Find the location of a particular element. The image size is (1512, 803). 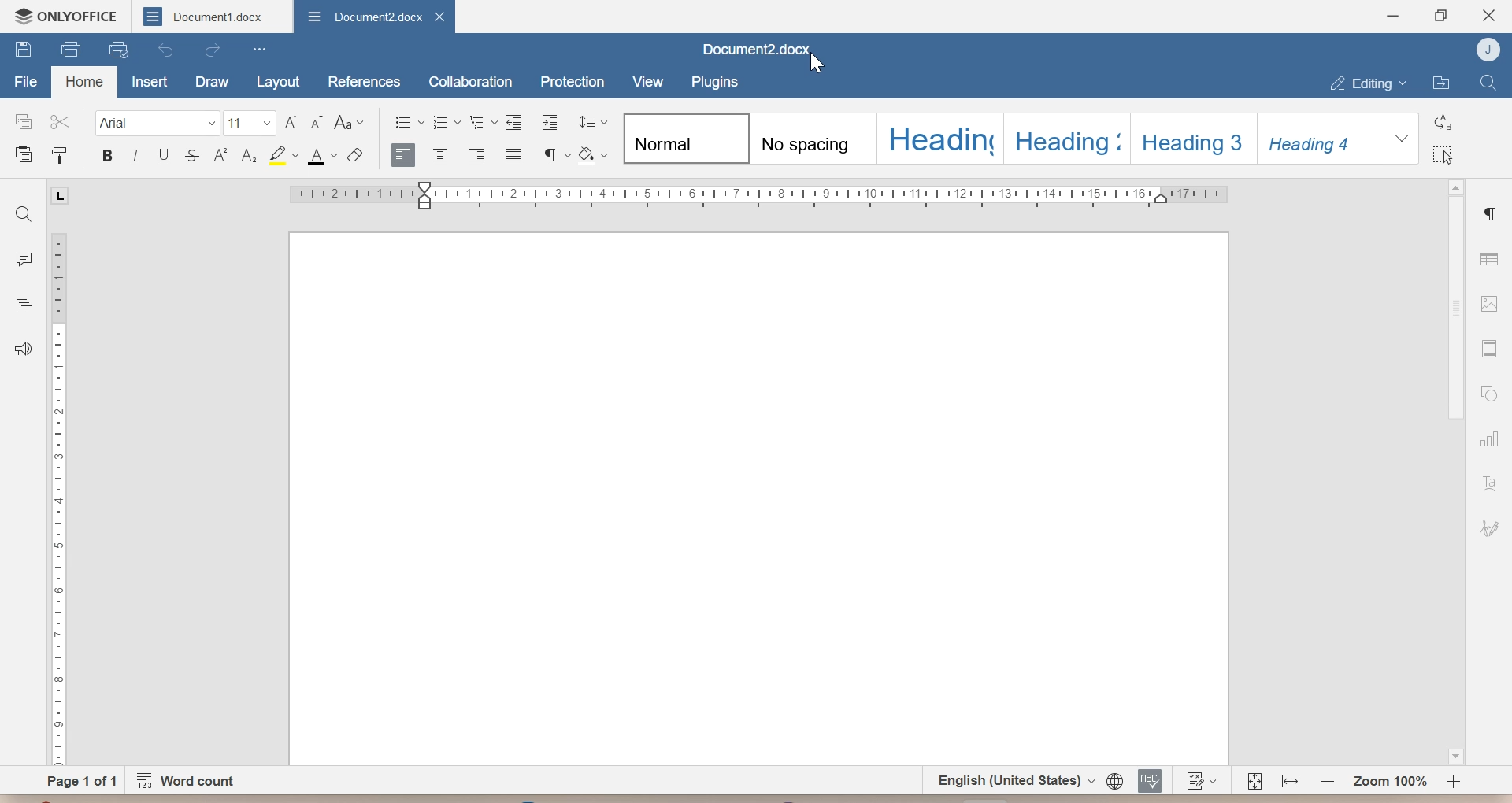

Page 1 of 1 is located at coordinates (83, 779).